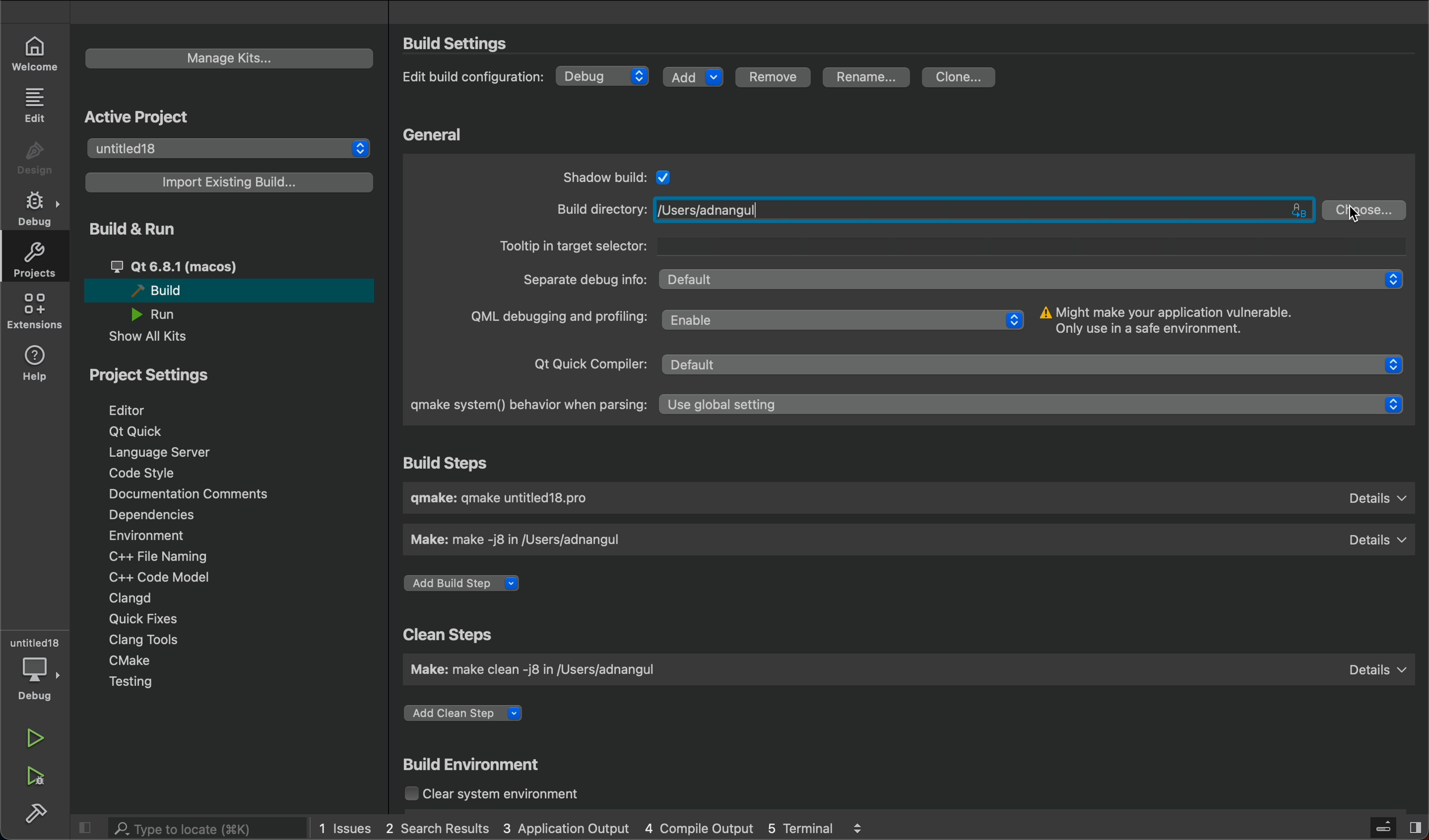  What do you see at coordinates (36, 679) in the screenshot?
I see `debug` at bounding box center [36, 679].